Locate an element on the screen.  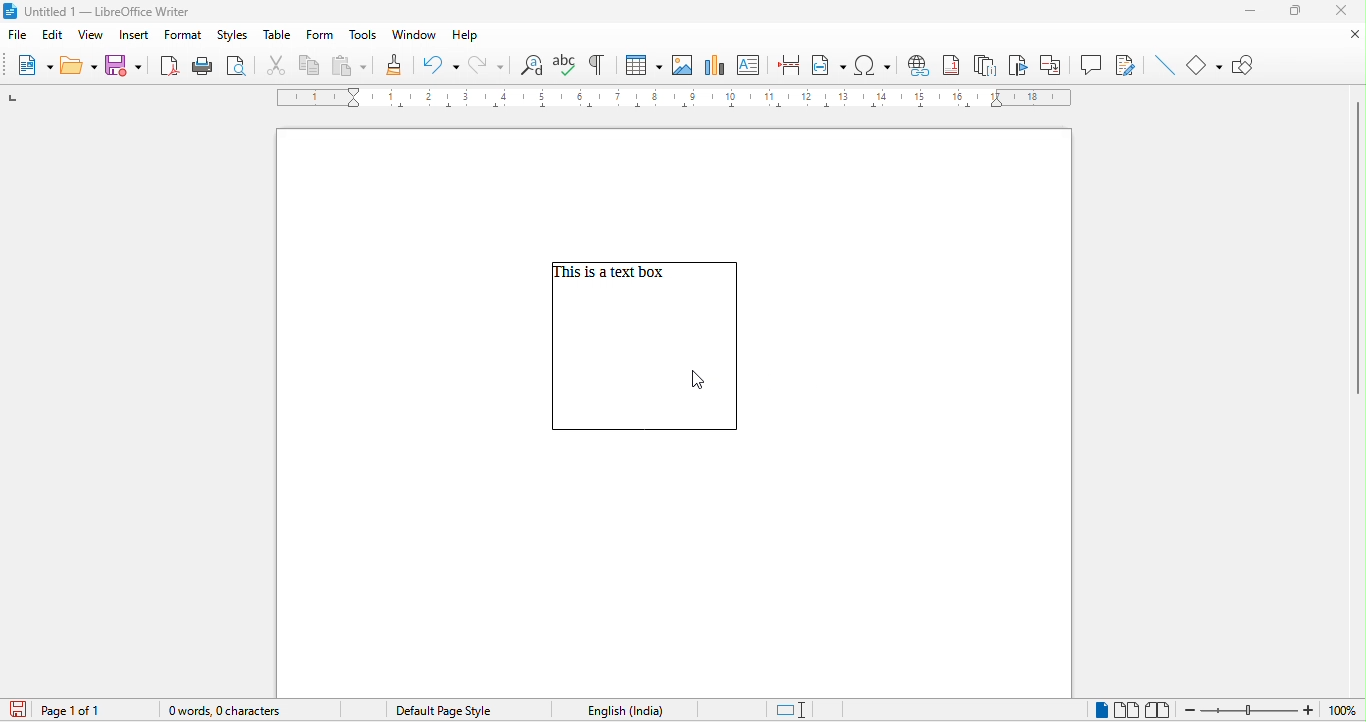
window is located at coordinates (415, 35).